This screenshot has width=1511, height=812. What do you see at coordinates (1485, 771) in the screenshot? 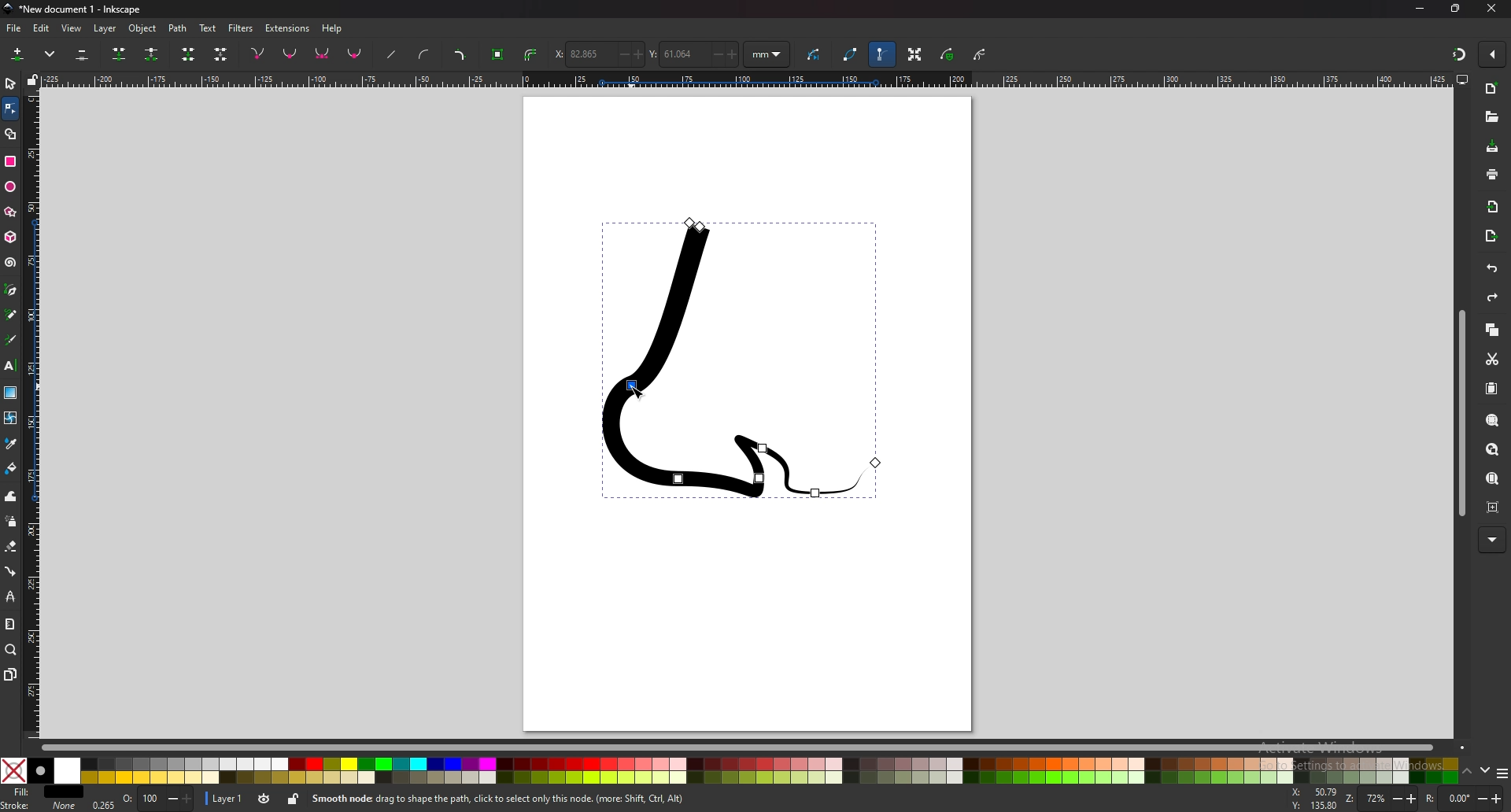
I see `down` at bounding box center [1485, 771].